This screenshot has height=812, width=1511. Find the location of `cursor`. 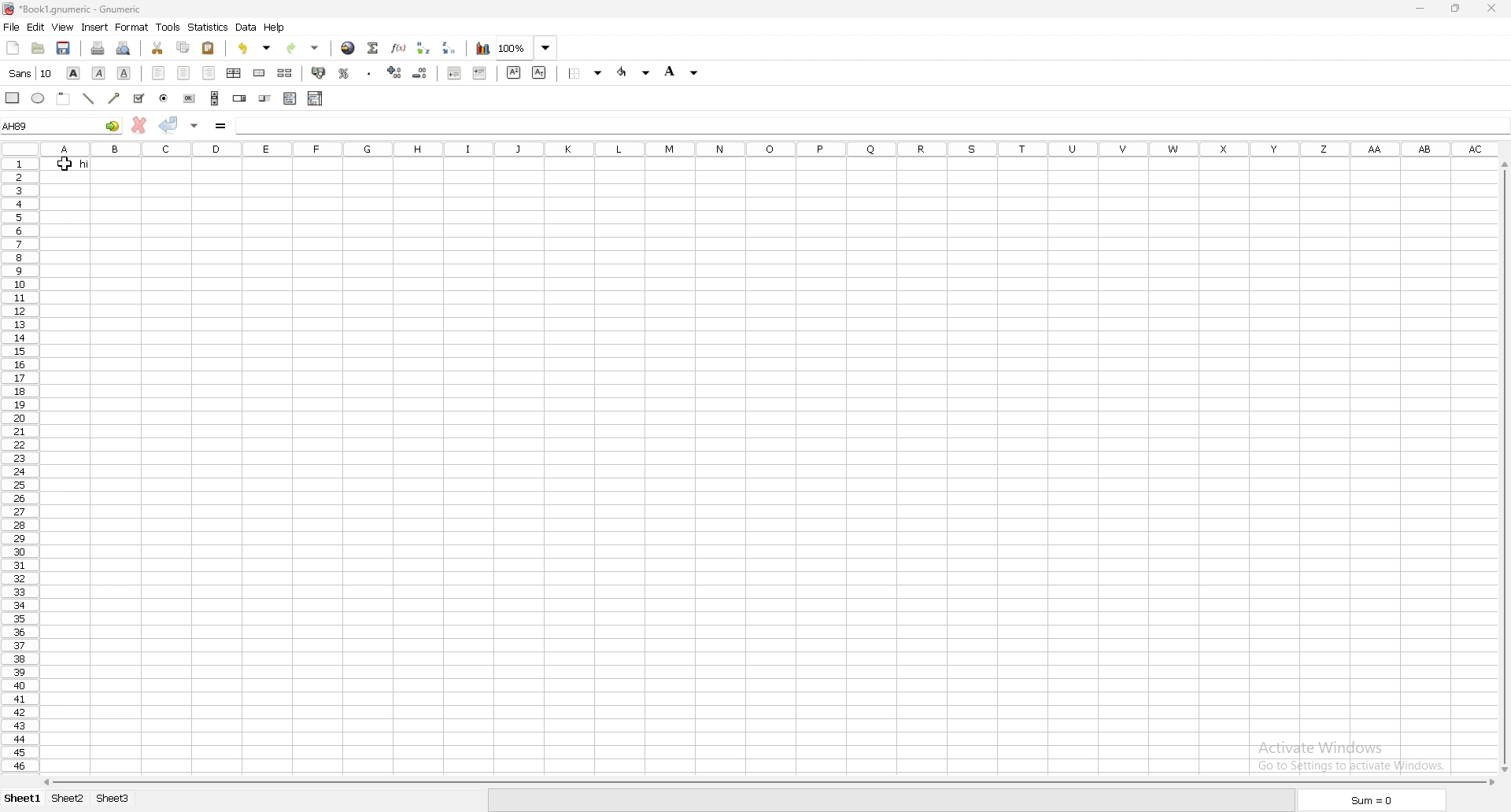

cursor is located at coordinates (65, 162).